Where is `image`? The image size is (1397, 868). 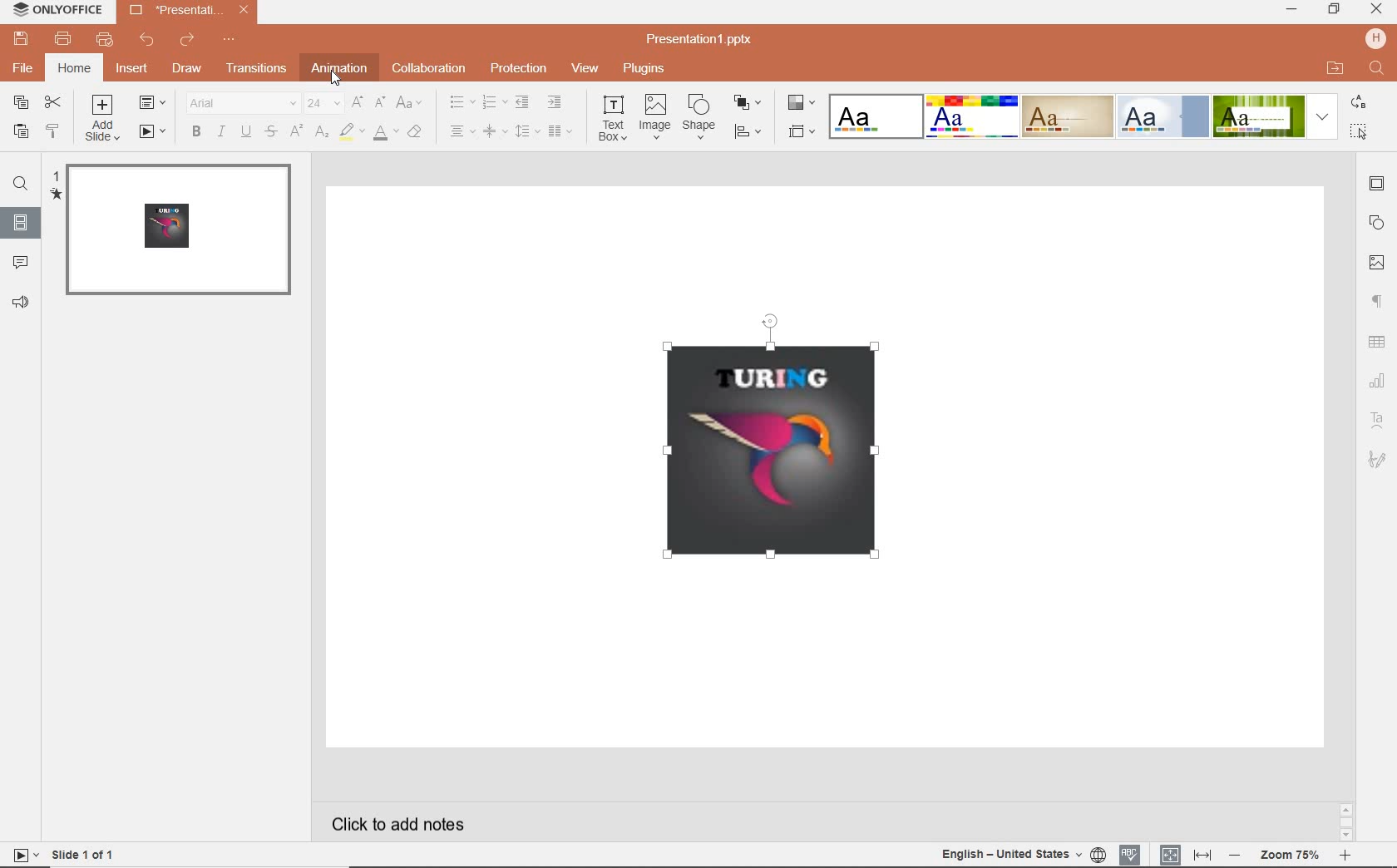
image is located at coordinates (654, 118).